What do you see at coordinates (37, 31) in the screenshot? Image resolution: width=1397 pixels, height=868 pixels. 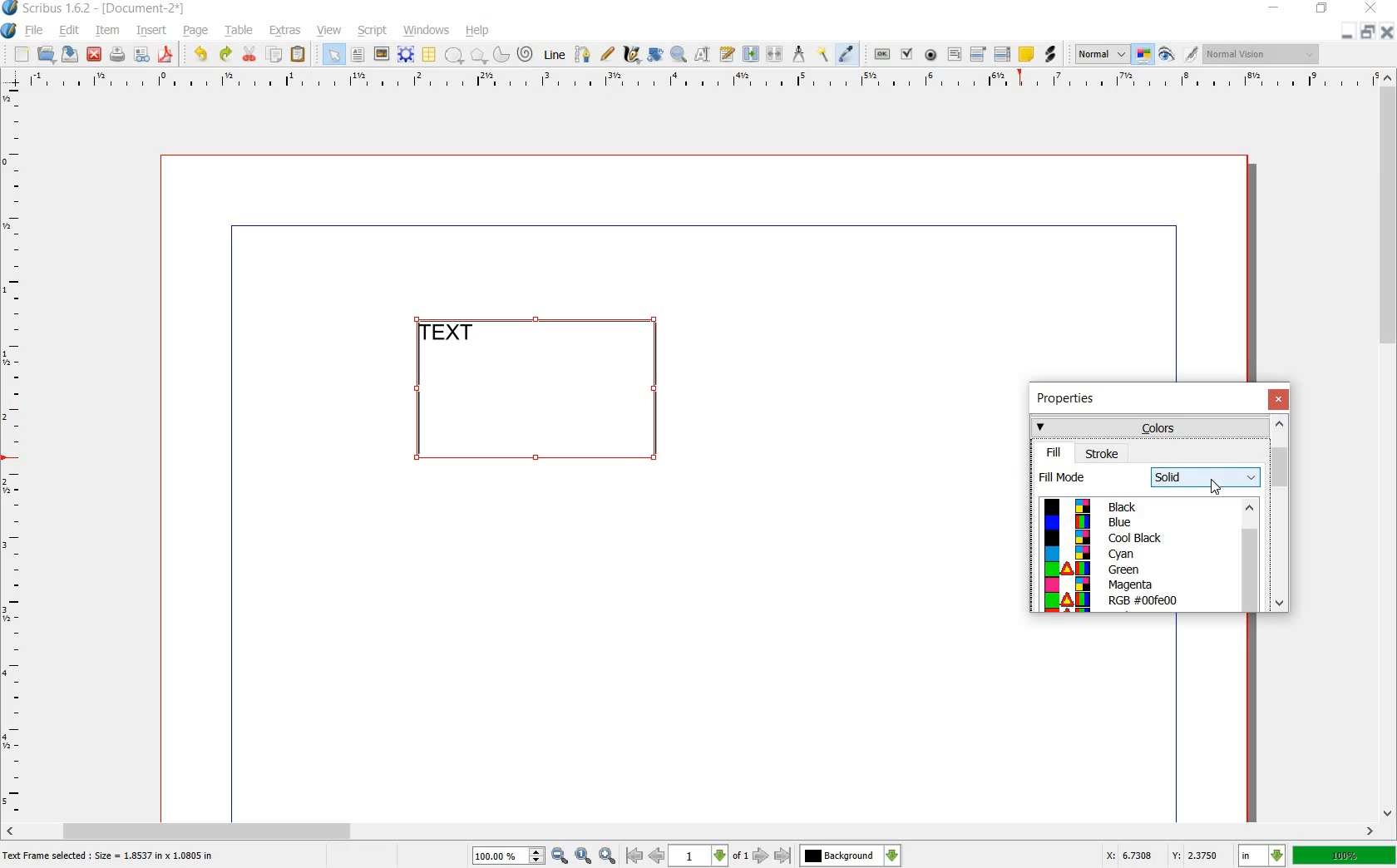 I see `file` at bounding box center [37, 31].